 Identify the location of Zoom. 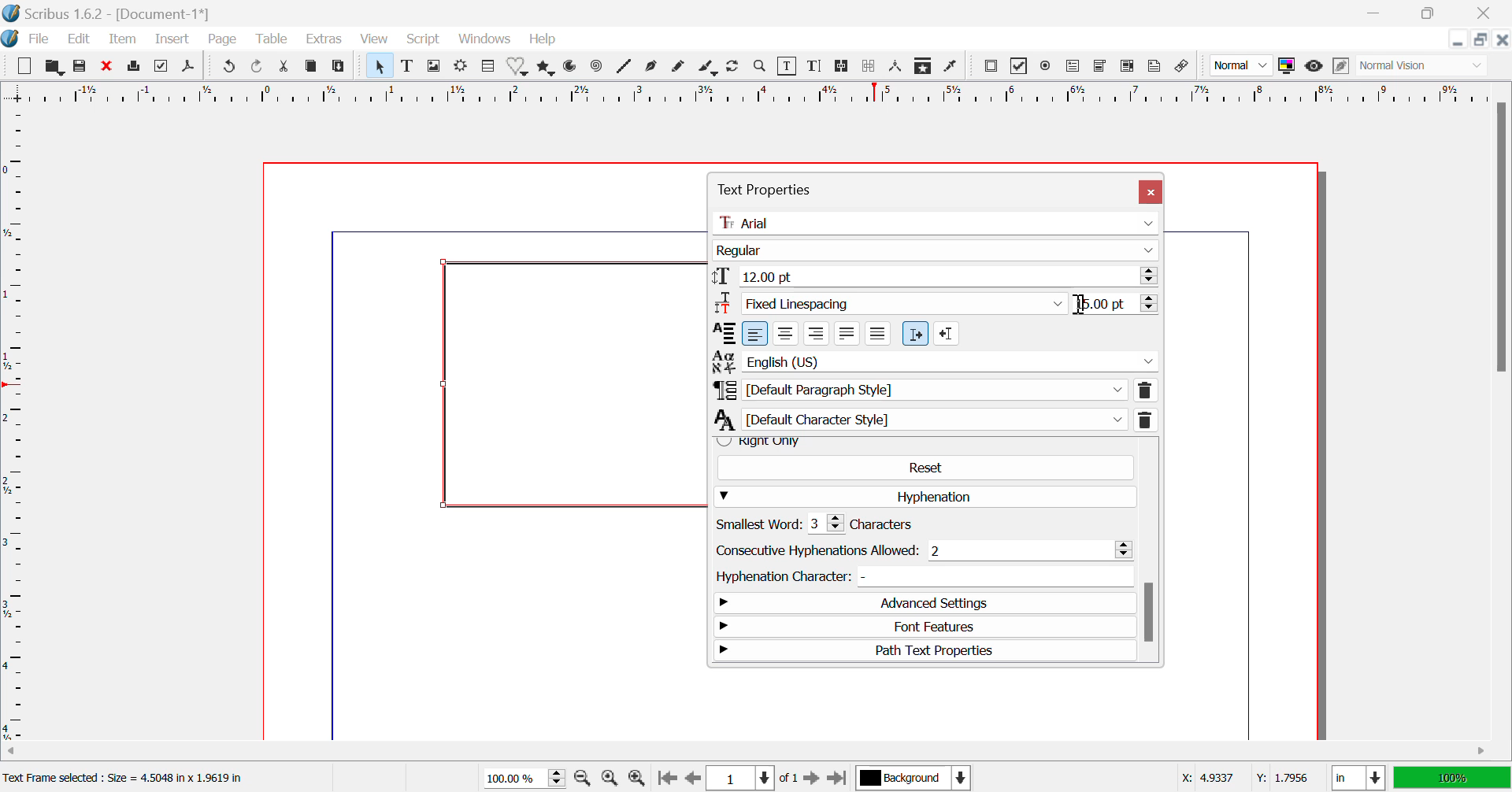
(762, 68).